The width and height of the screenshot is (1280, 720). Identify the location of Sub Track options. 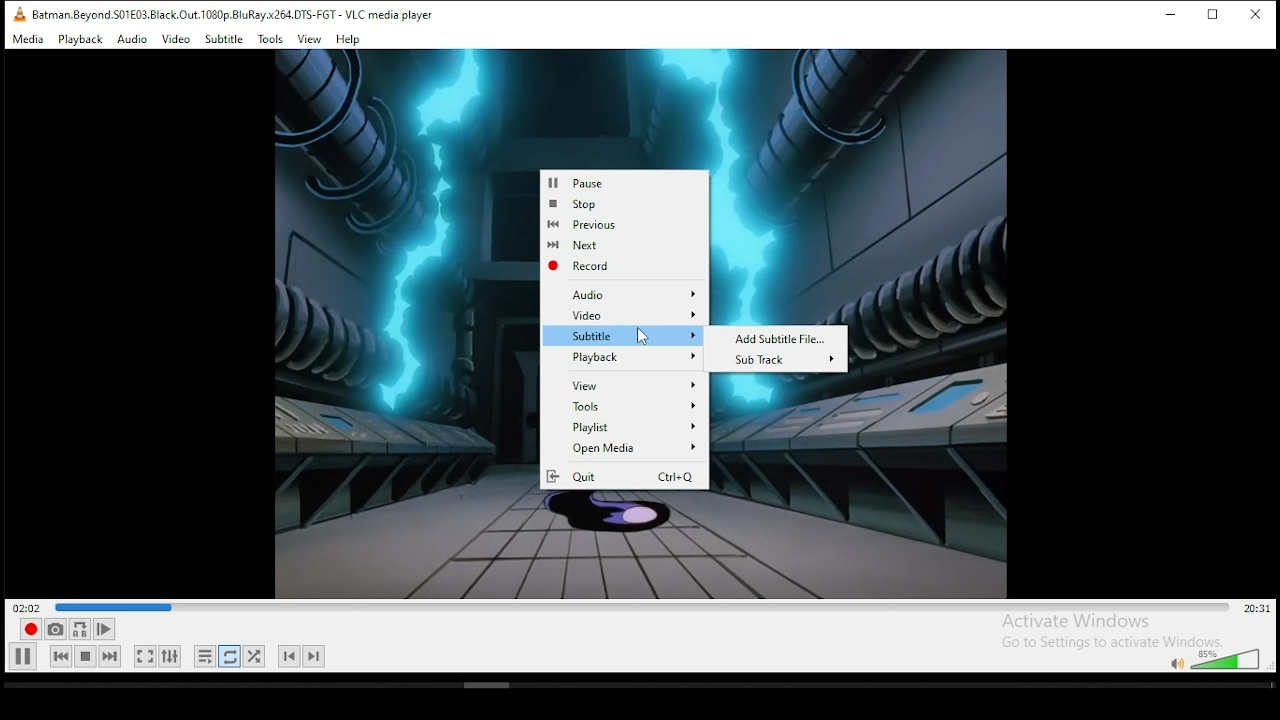
(783, 360).